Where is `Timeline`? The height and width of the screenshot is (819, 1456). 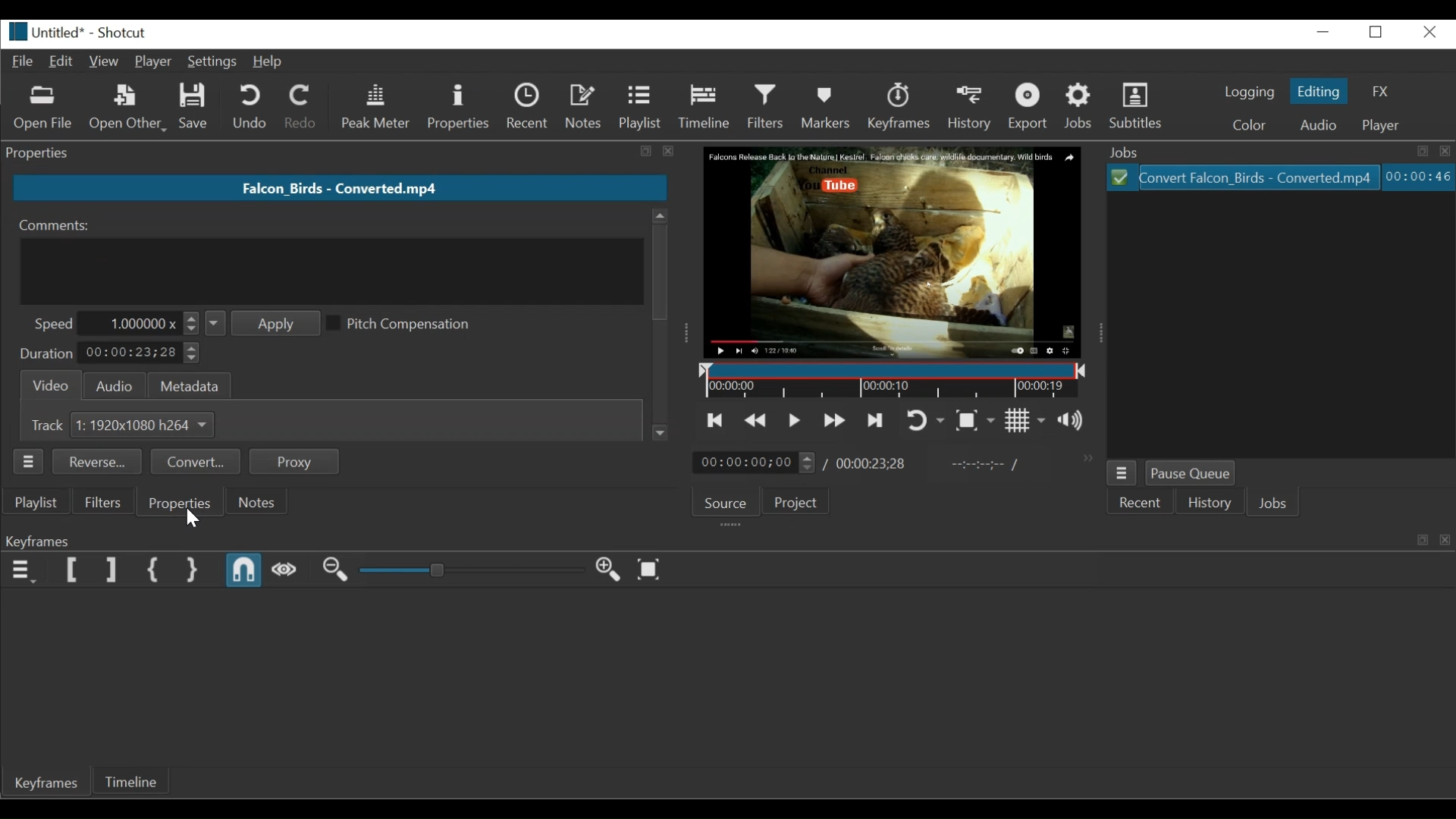
Timeline is located at coordinates (128, 780).